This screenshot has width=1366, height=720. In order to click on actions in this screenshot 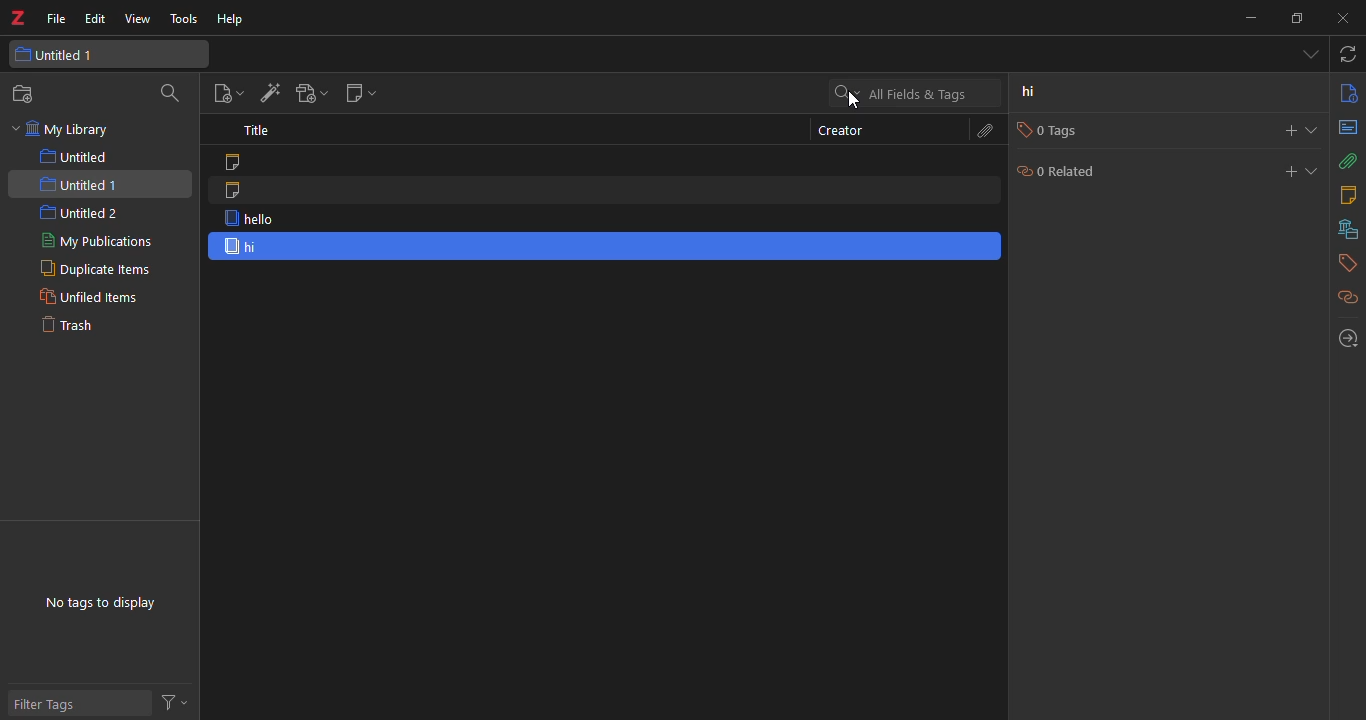, I will do `click(173, 699)`.